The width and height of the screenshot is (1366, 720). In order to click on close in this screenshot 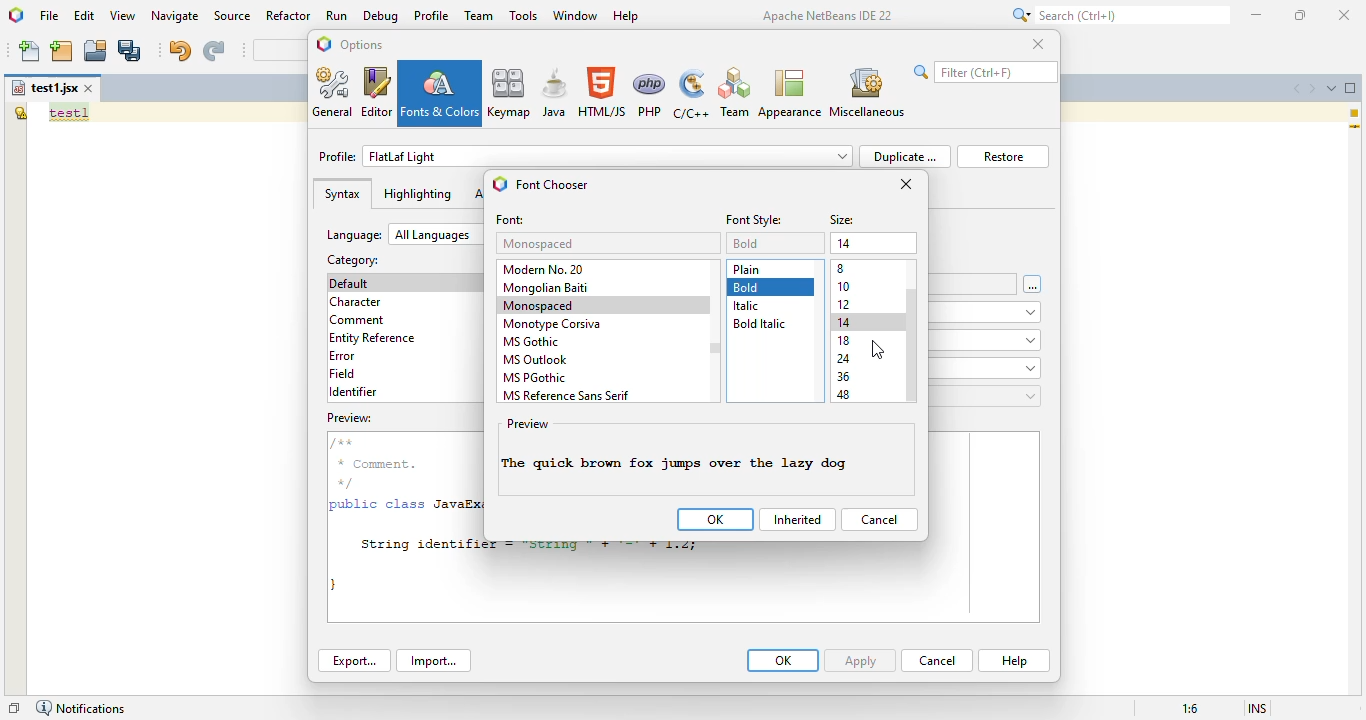, I will do `click(907, 184)`.